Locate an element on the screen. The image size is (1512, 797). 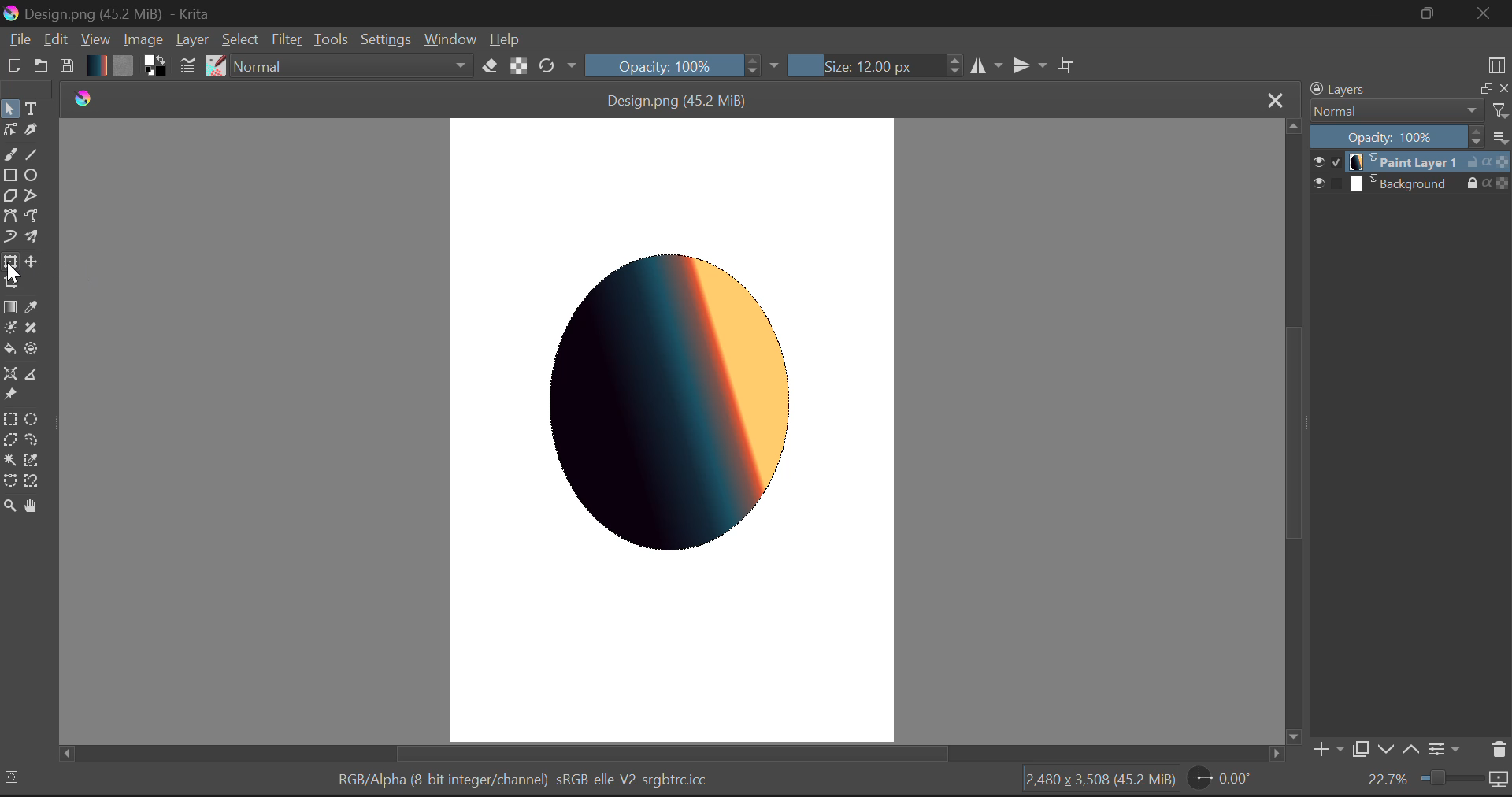
Brush Size is located at coordinates (871, 65).